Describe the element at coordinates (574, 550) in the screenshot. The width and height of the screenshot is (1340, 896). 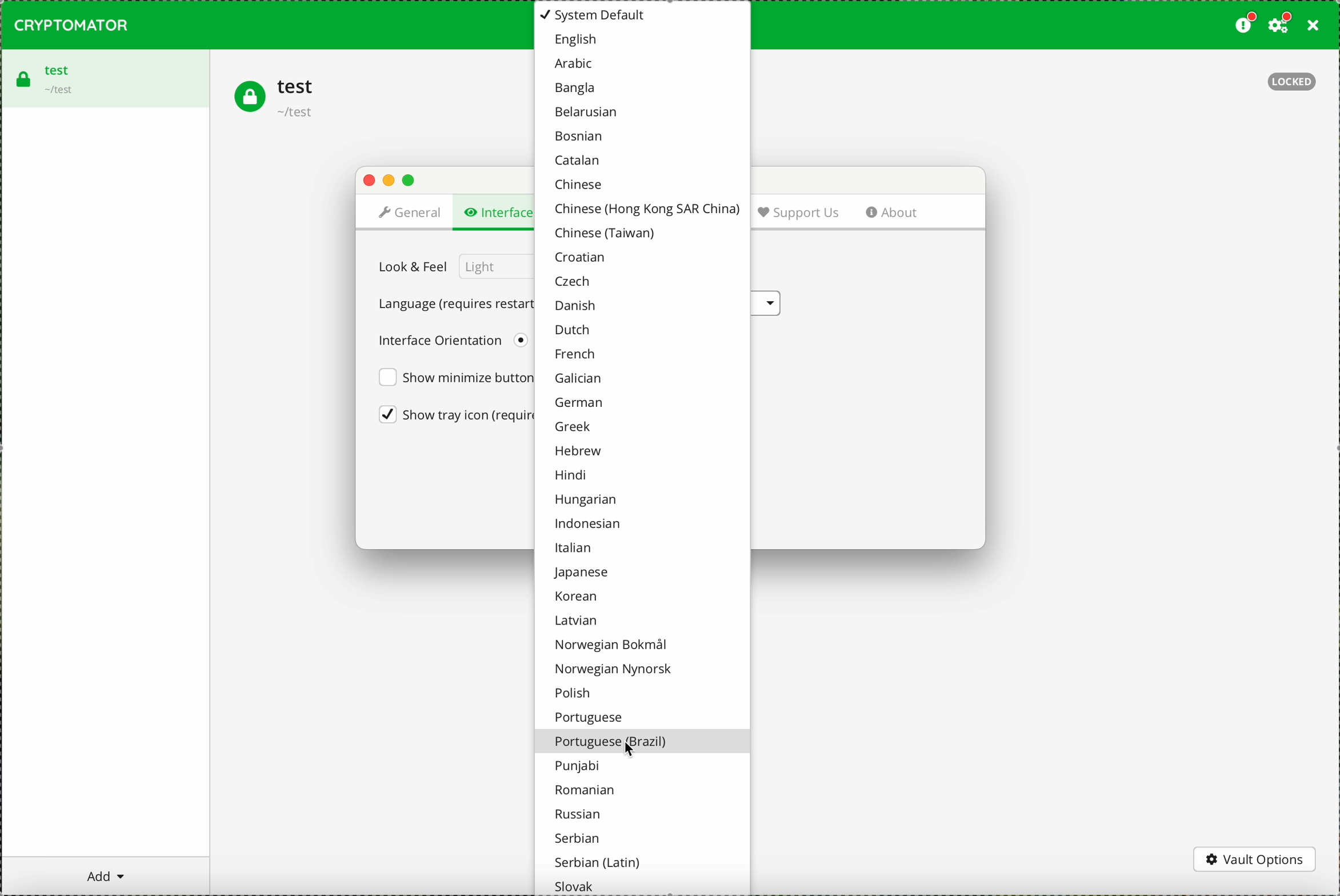
I see `italian` at that location.